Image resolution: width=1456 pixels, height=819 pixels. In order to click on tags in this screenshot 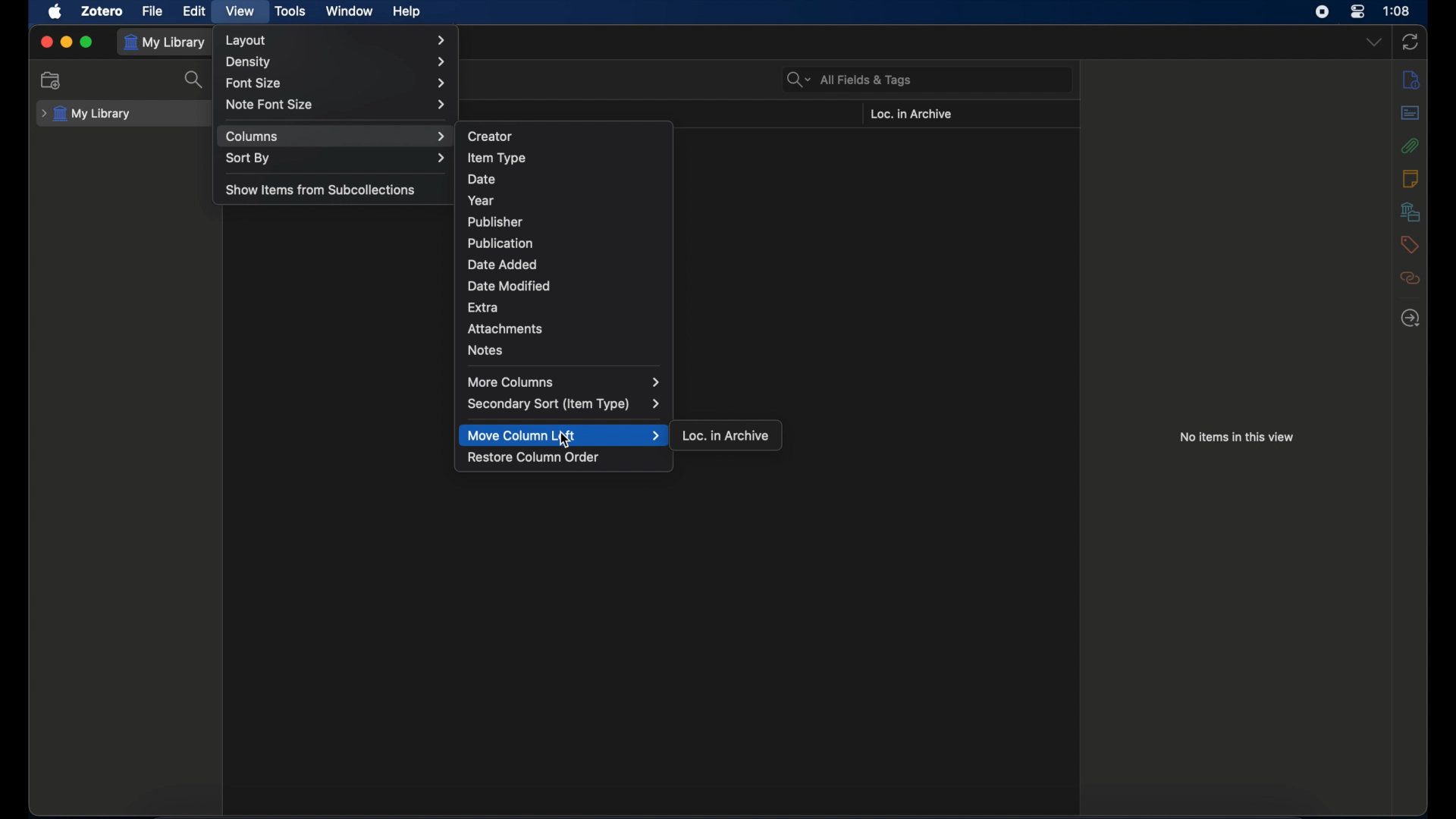, I will do `click(1409, 245)`.